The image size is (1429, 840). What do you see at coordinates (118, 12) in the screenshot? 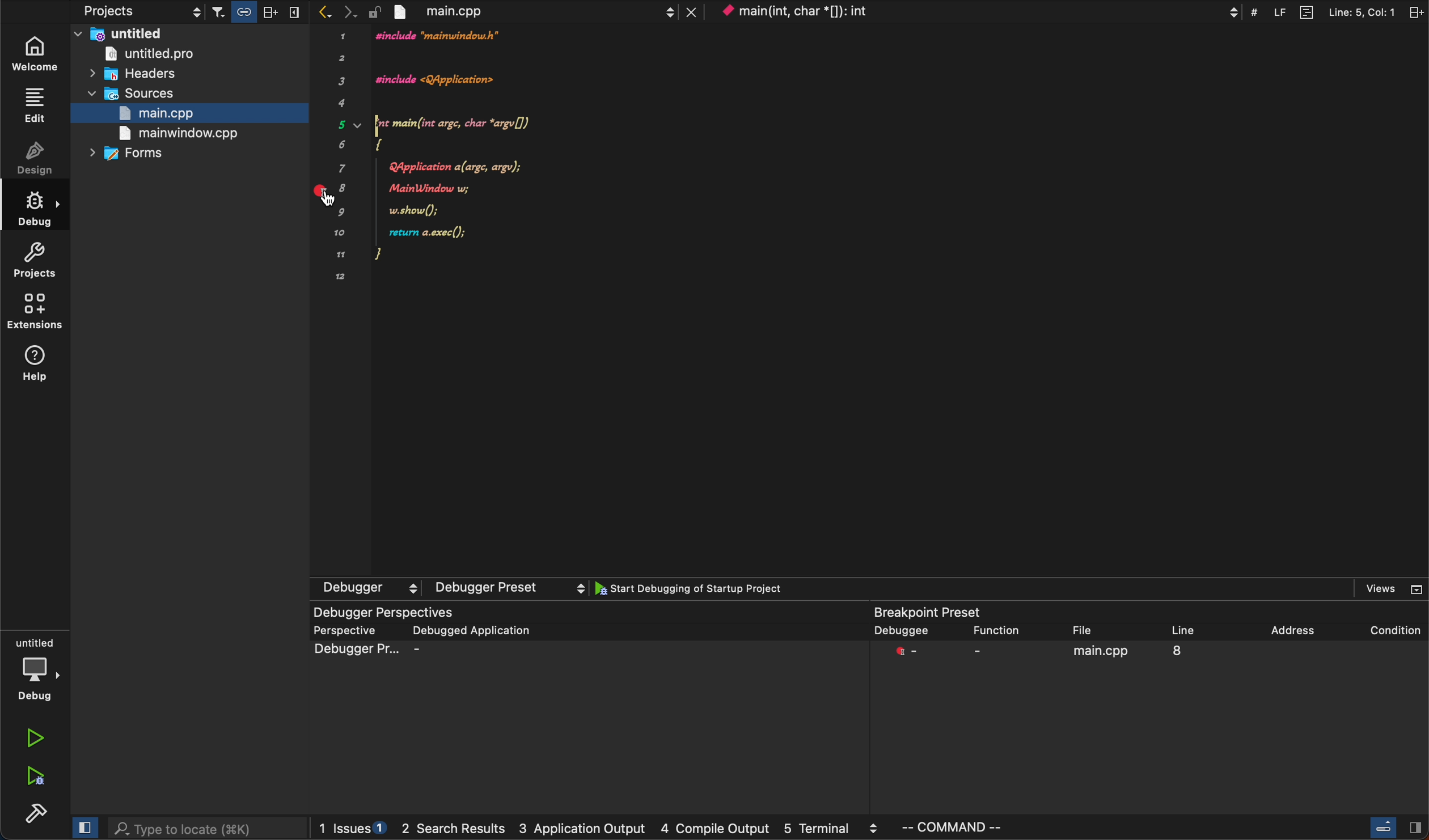
I see `projects` at bounding box center [118, 12].